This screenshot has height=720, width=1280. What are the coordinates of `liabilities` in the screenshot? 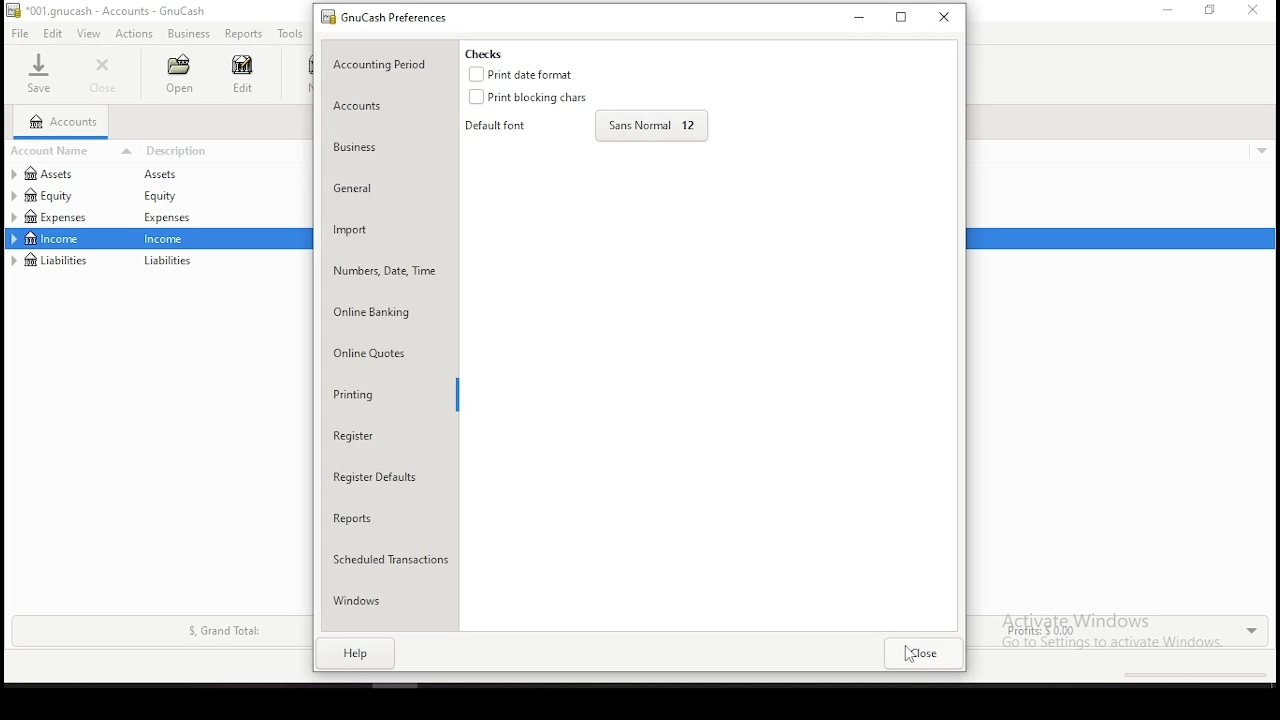 It's located at (52, 260).